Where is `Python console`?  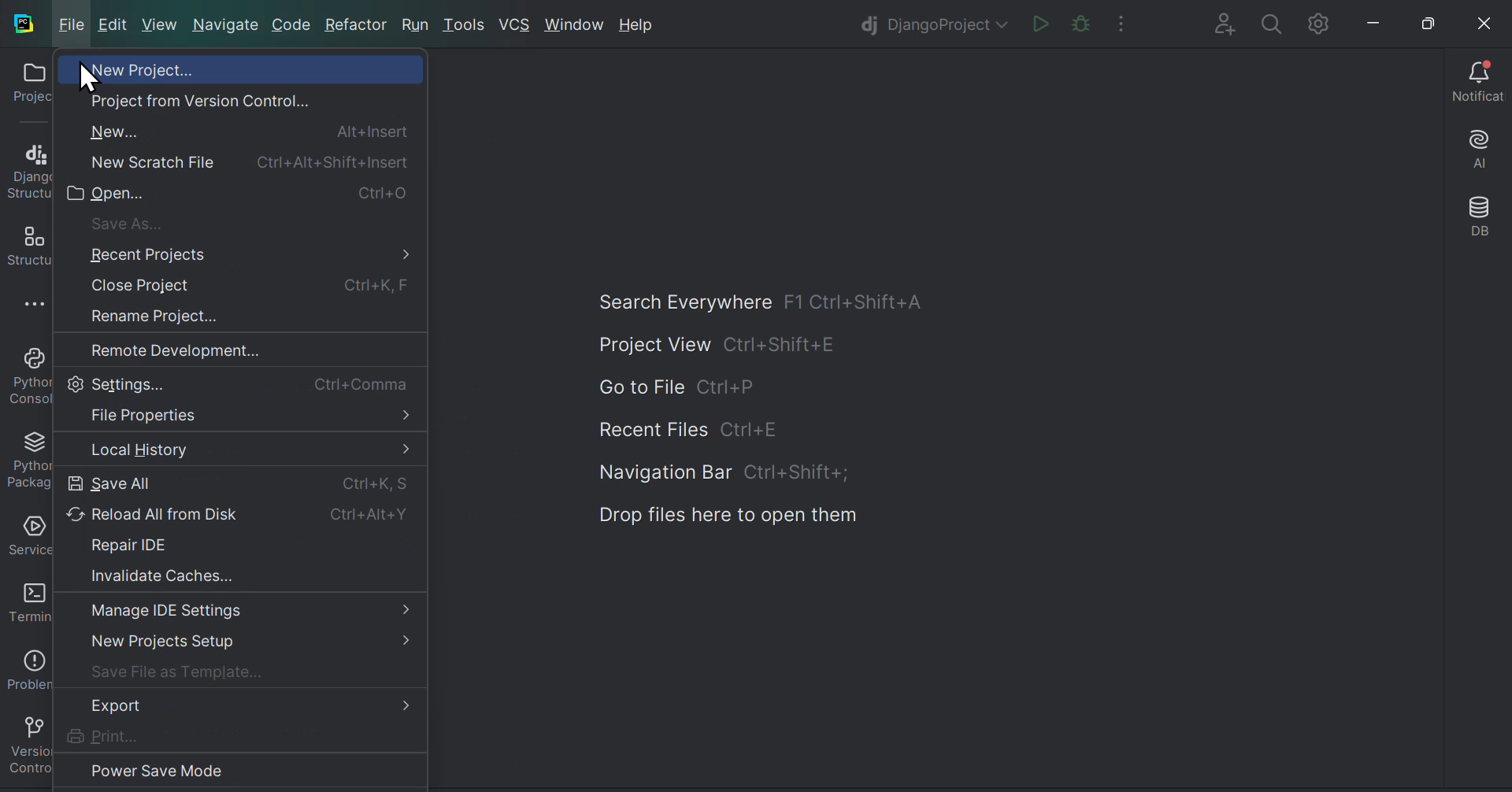 Python console is located at coordinates (29, 375).